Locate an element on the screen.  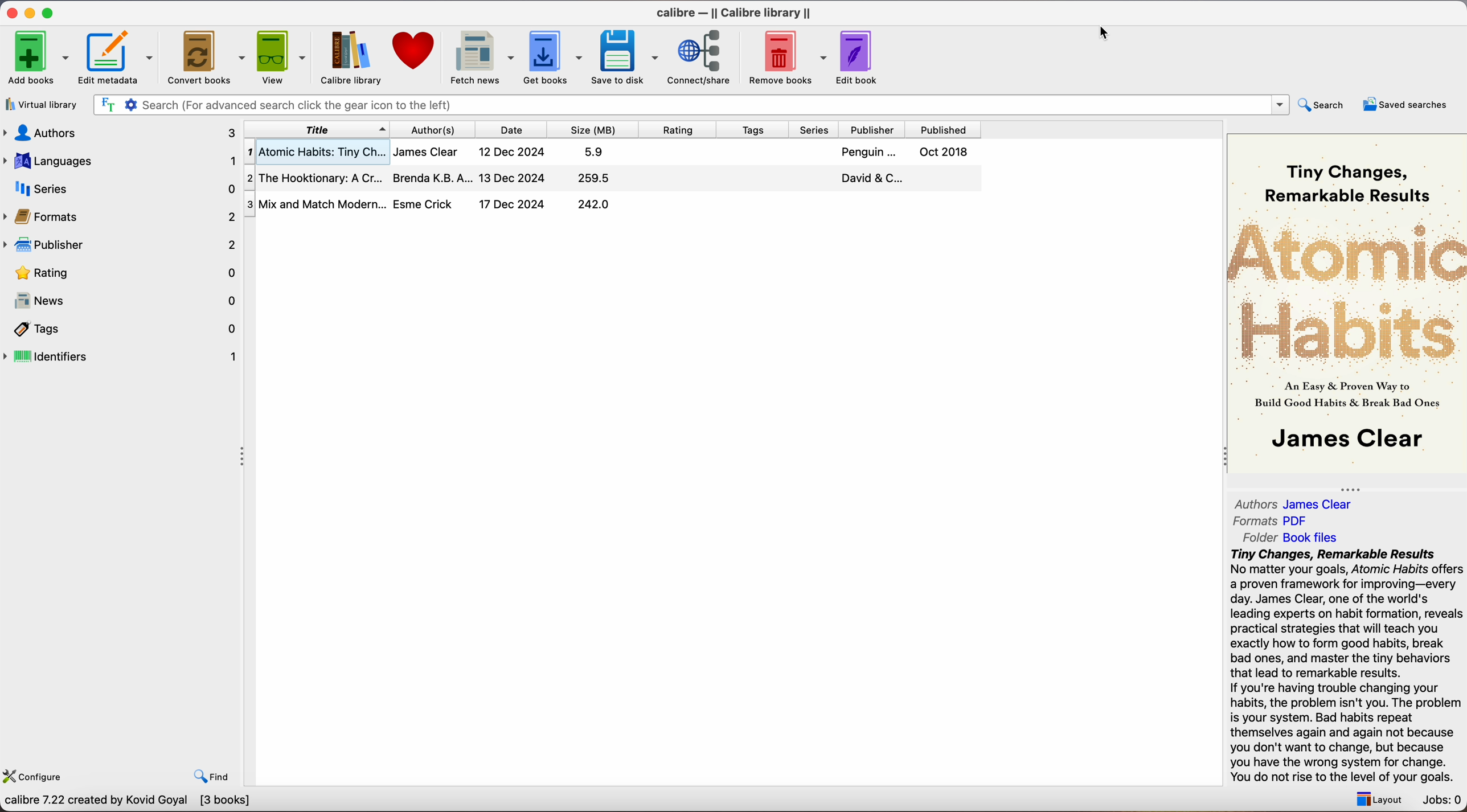
donate is located at coordinates (415, 51).